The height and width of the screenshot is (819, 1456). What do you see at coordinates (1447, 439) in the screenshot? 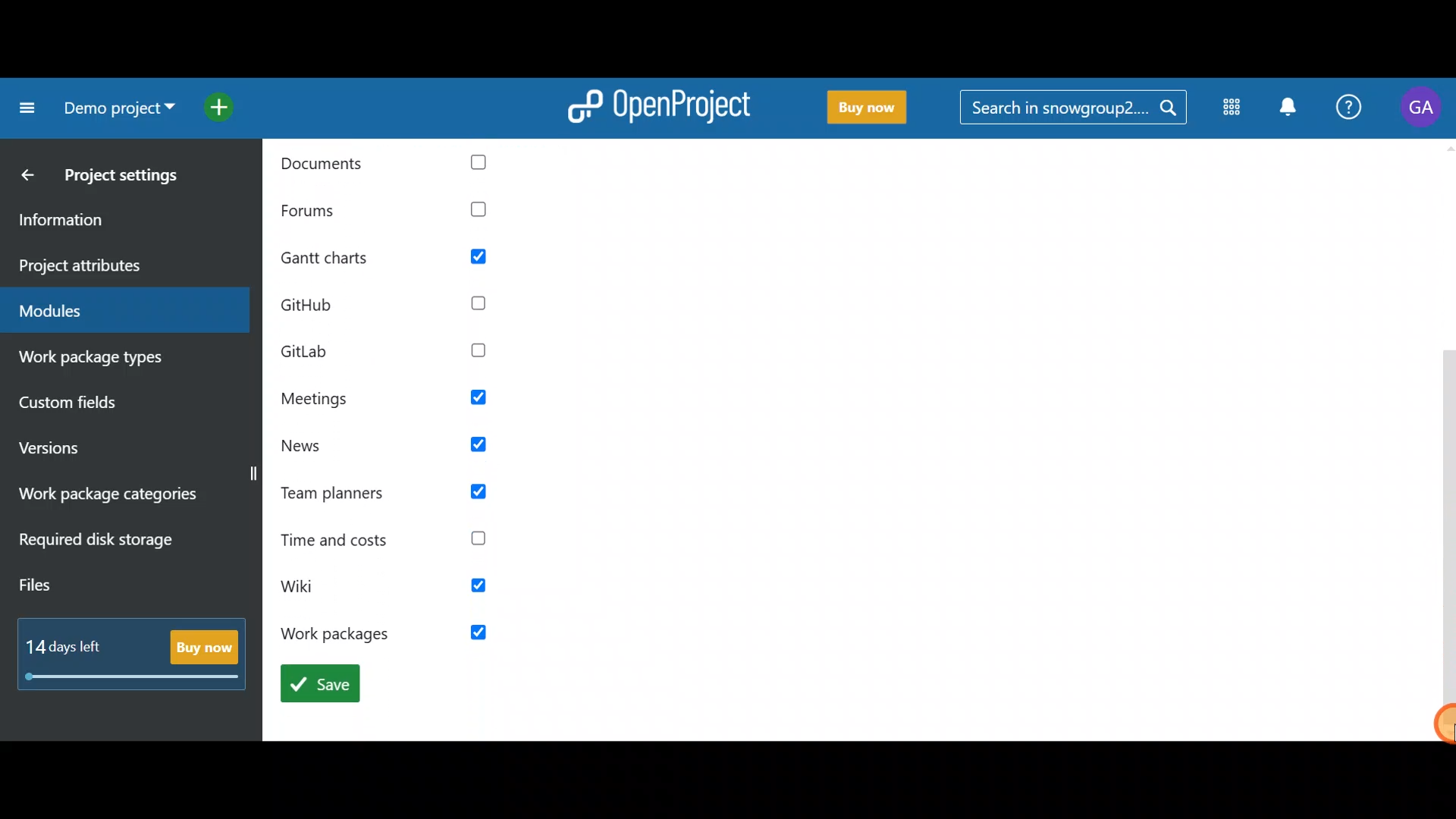
I see `Vertical slider` at bounding box center [1447, 439].